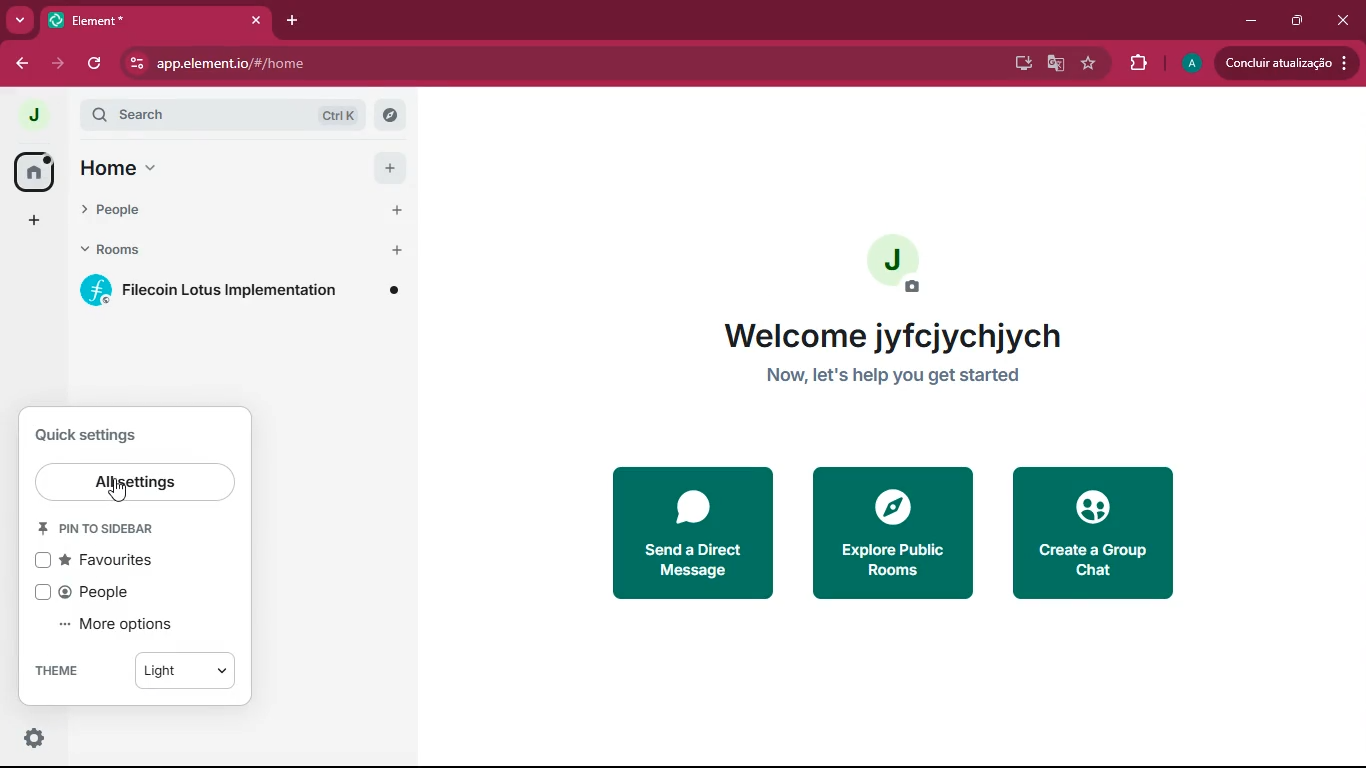 This screenshot has width=1366, height=768. Describe the element at coordinates (392, 168) in the screenshot. I see `add` at that location.